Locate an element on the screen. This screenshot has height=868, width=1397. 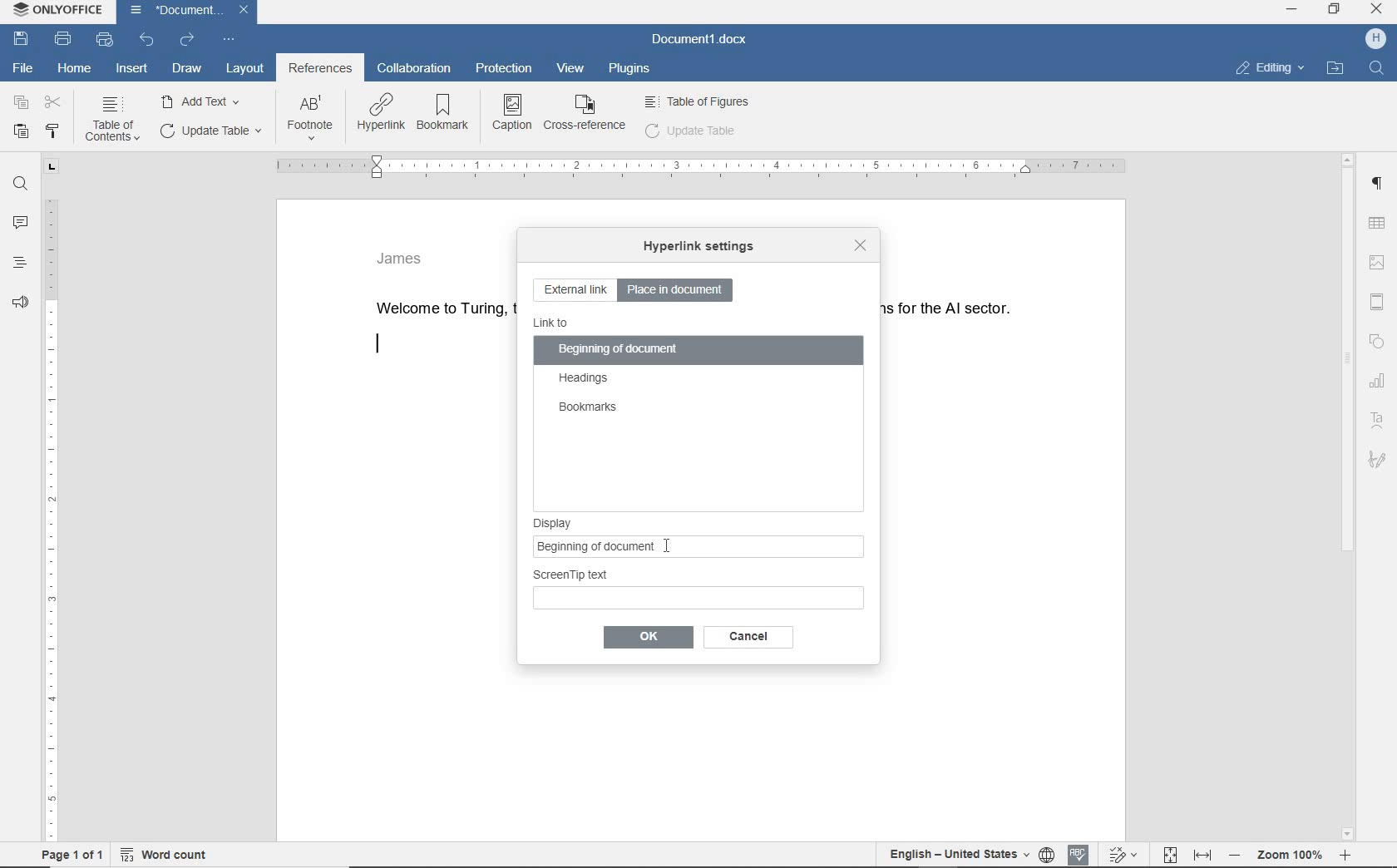
draw is located at coordinates (188, 69).